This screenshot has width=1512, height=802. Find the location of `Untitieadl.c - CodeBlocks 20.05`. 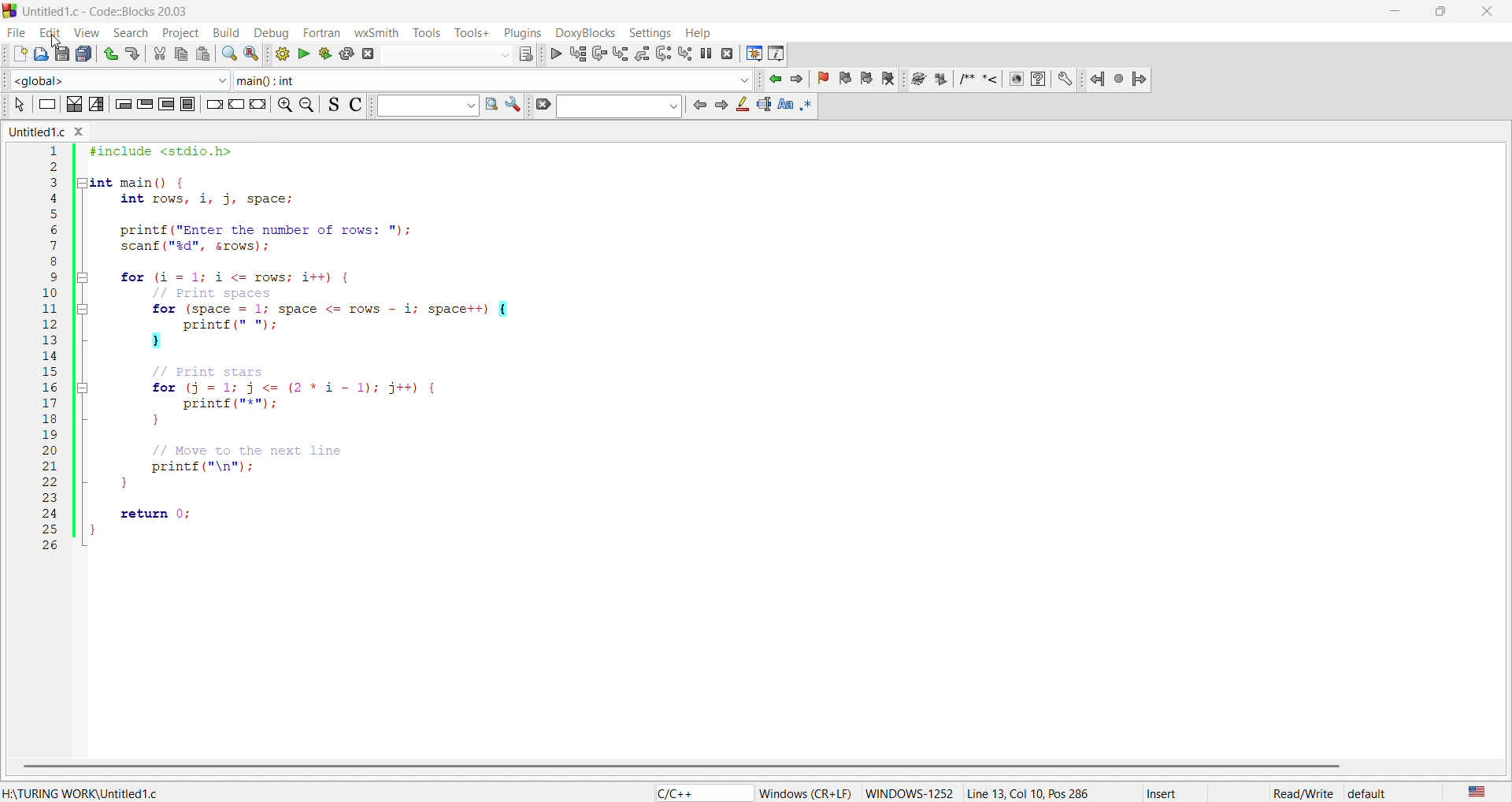

Untitieadl.c - CodeBlocks 20.05 is located at coordinates (113, 12).